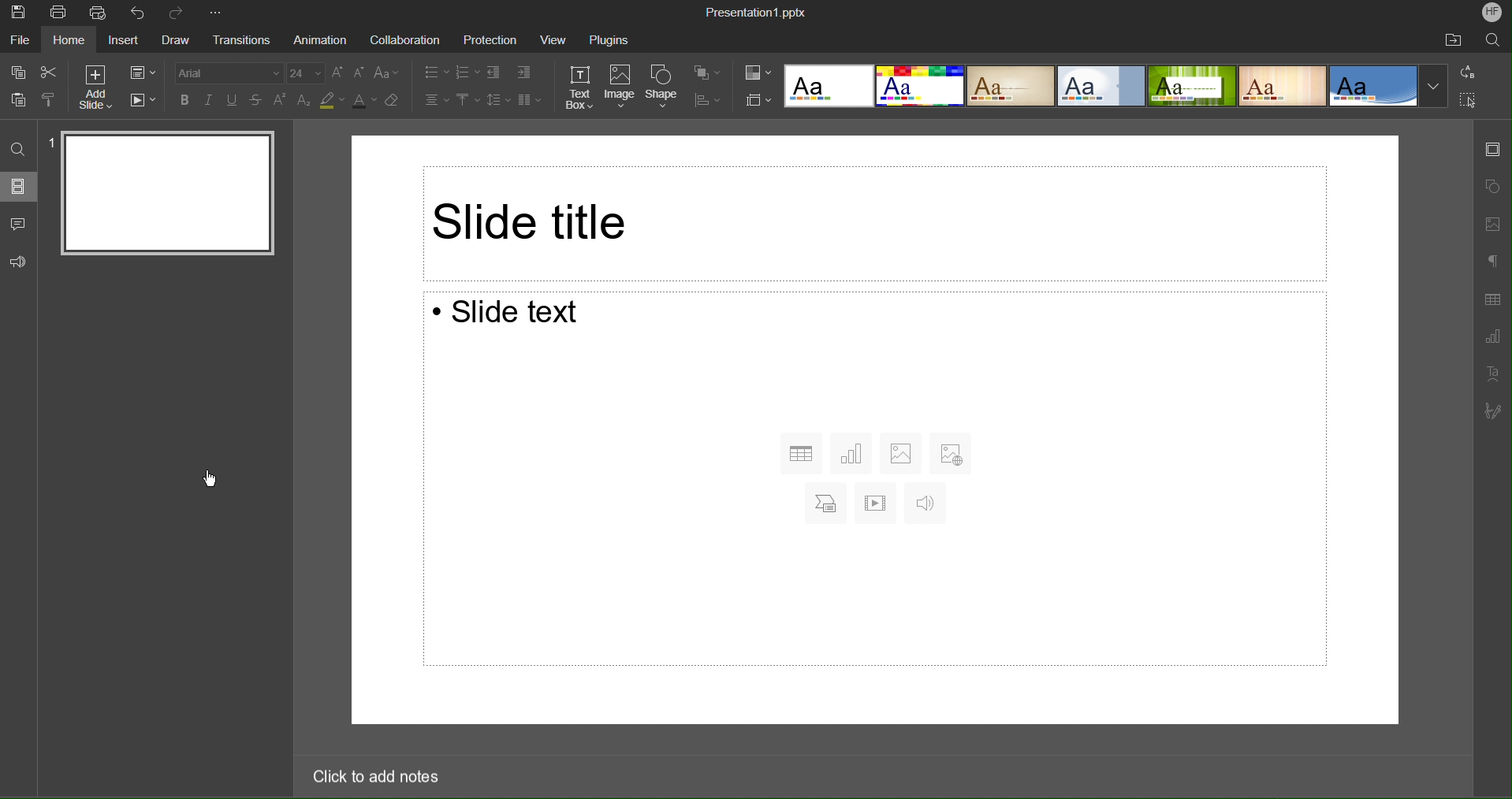 This screenshot has width=1512, height=799. What do you see at coordinates (71, 40) in the screenshot?
I see `Home` at bounding box center [71, 40].